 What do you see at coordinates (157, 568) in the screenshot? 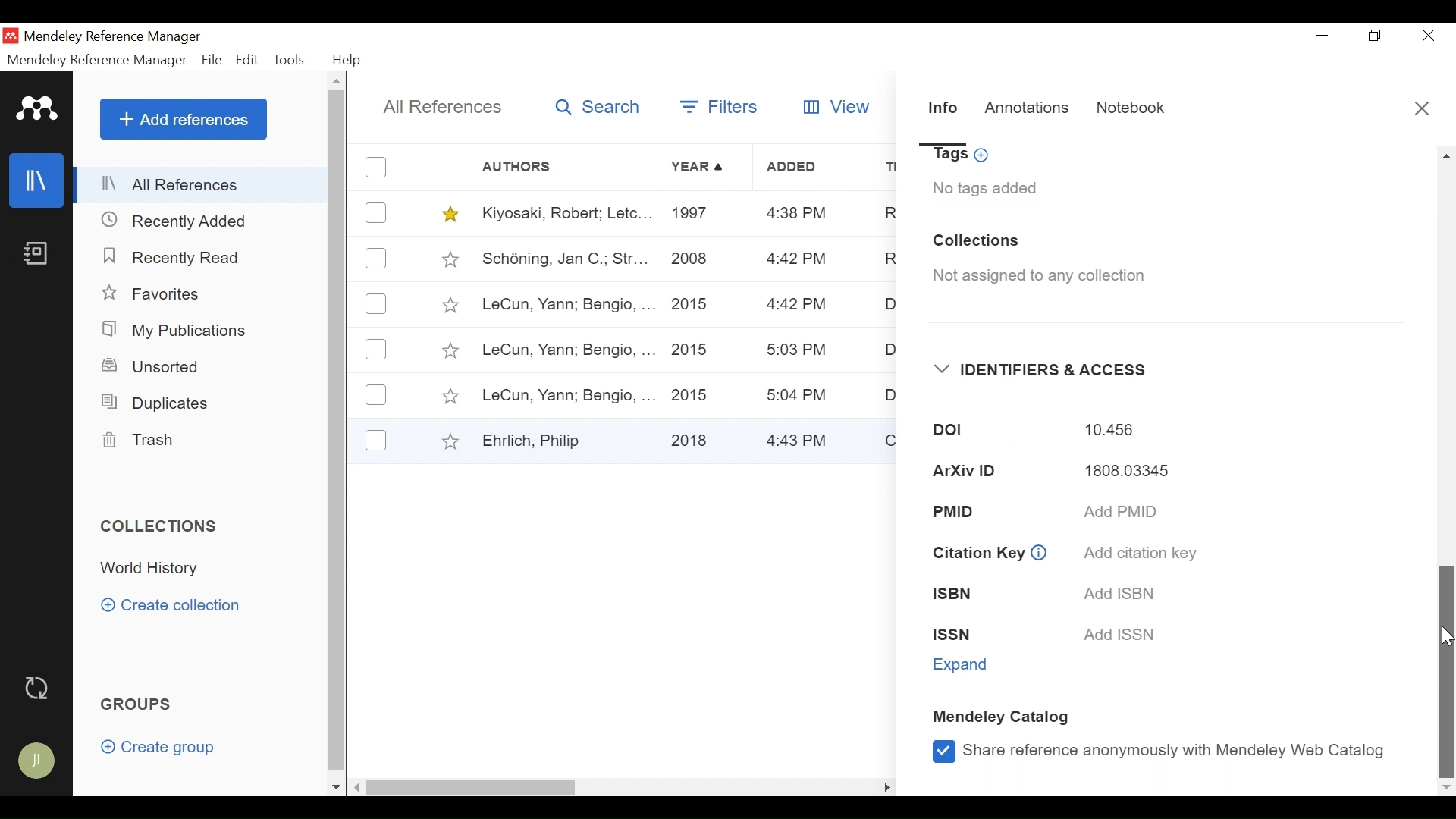
I see `Collection` at bounding box center [157, 568].